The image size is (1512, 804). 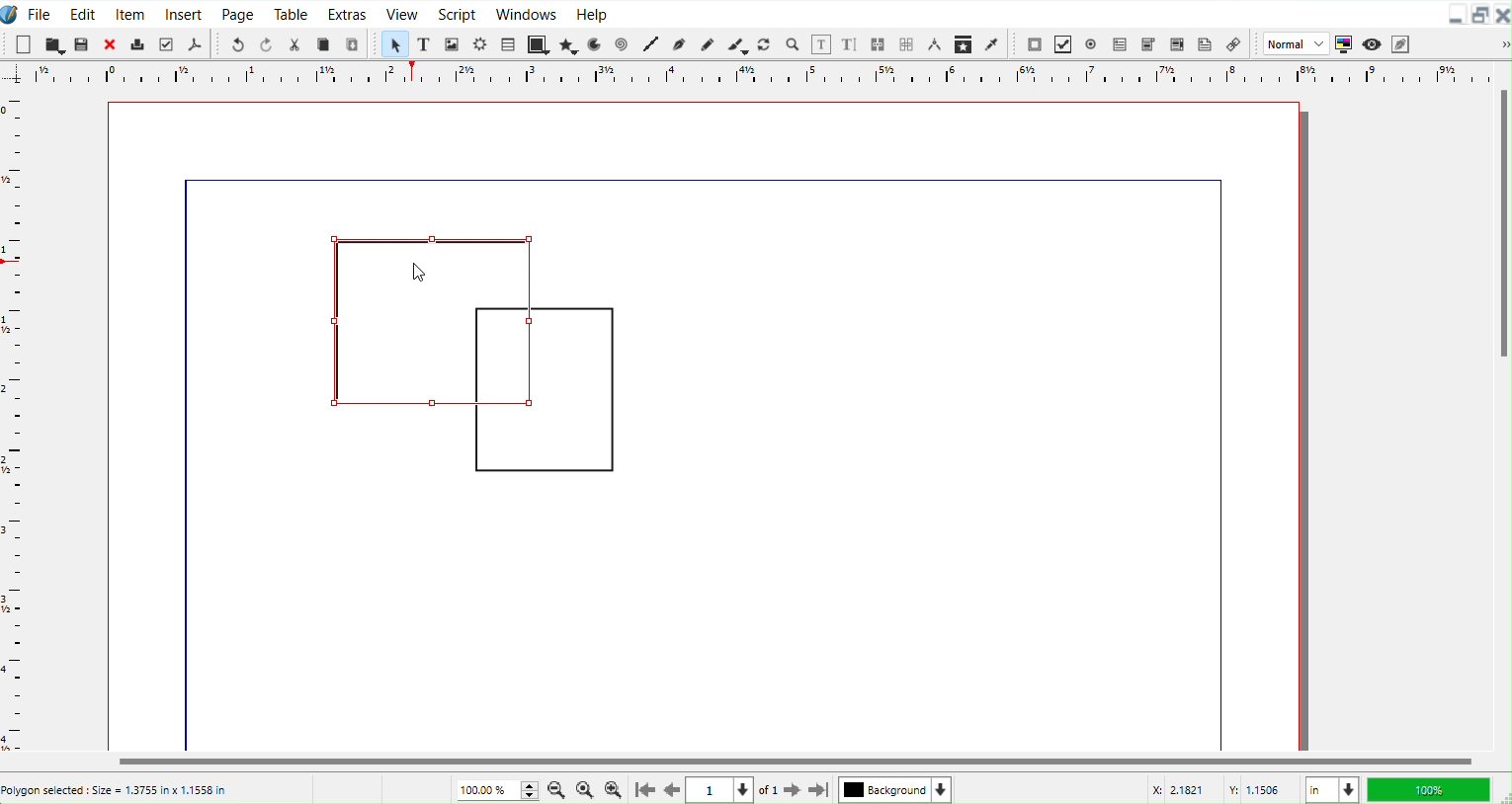 What do you see at coordinates (1496, 43) in the screenshot?
I see `Drop down box` at bounding box center [1496, 43].